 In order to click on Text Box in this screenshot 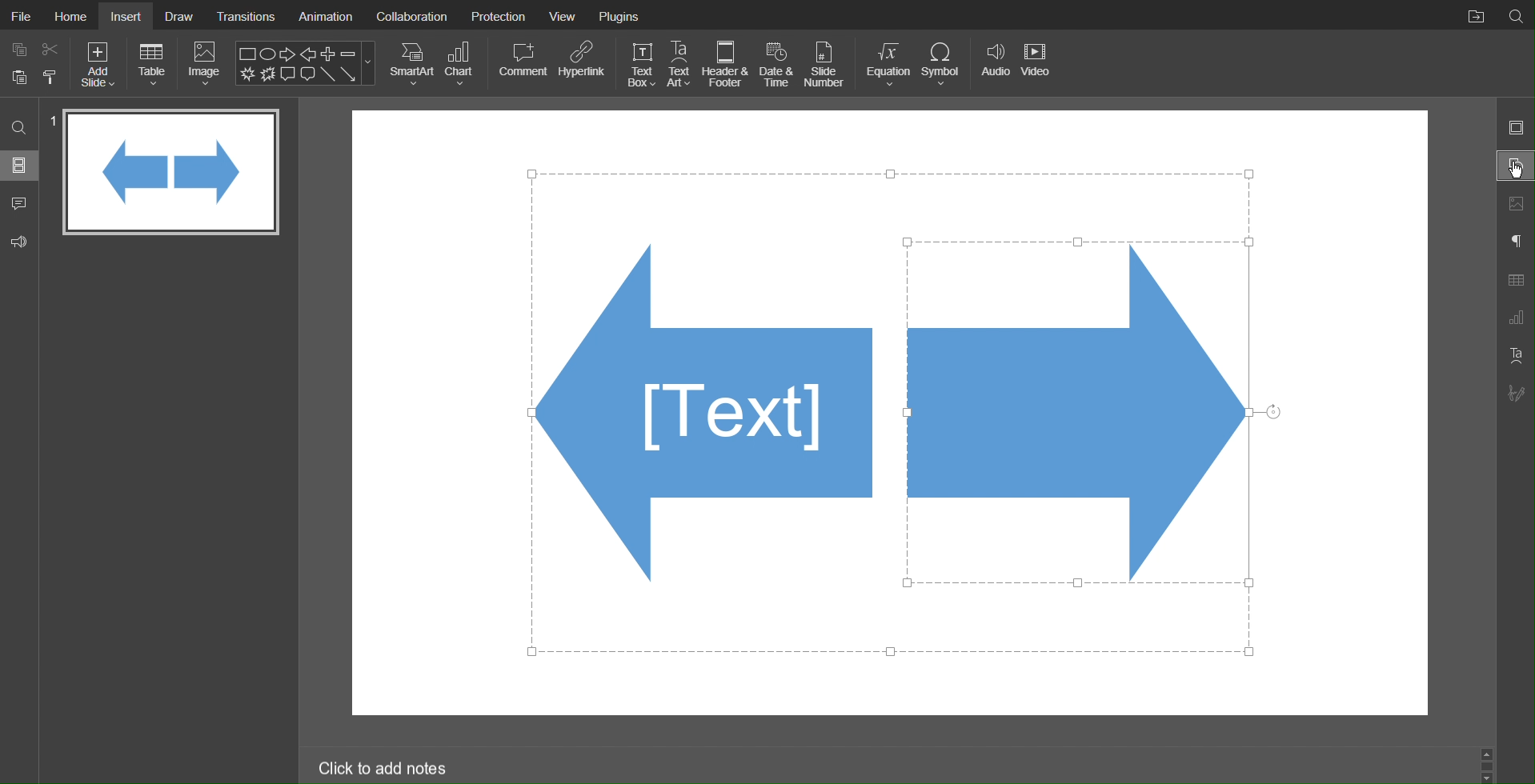, I will do `click(641, 64)`.